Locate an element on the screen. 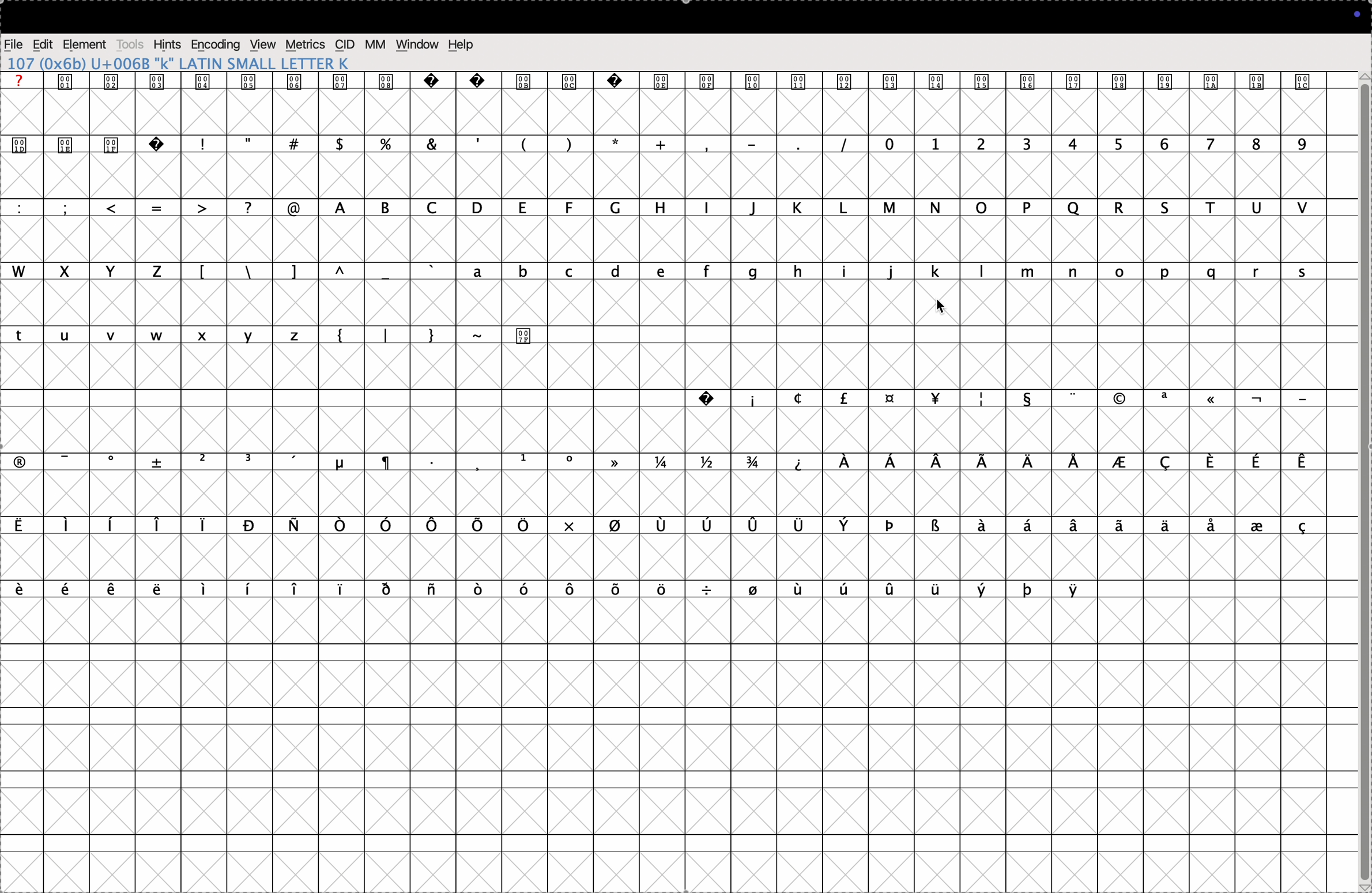 This screenshot has width=1372, height=893. symbol list of e is located at coordinates (92, 587).